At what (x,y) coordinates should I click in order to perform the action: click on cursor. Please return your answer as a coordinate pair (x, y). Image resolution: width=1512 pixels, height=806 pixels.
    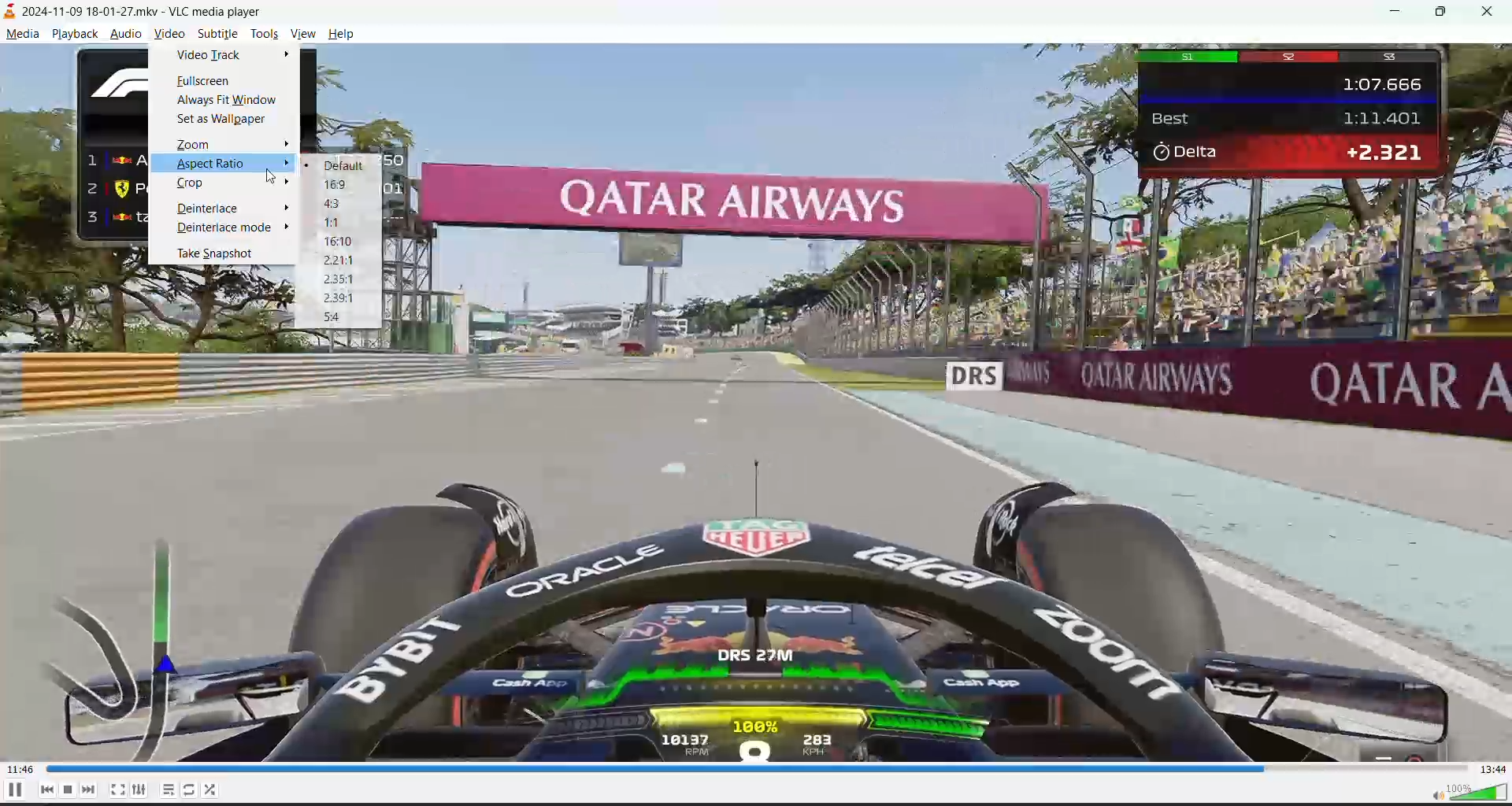
    Looking at the image, I should click on (273, 176).